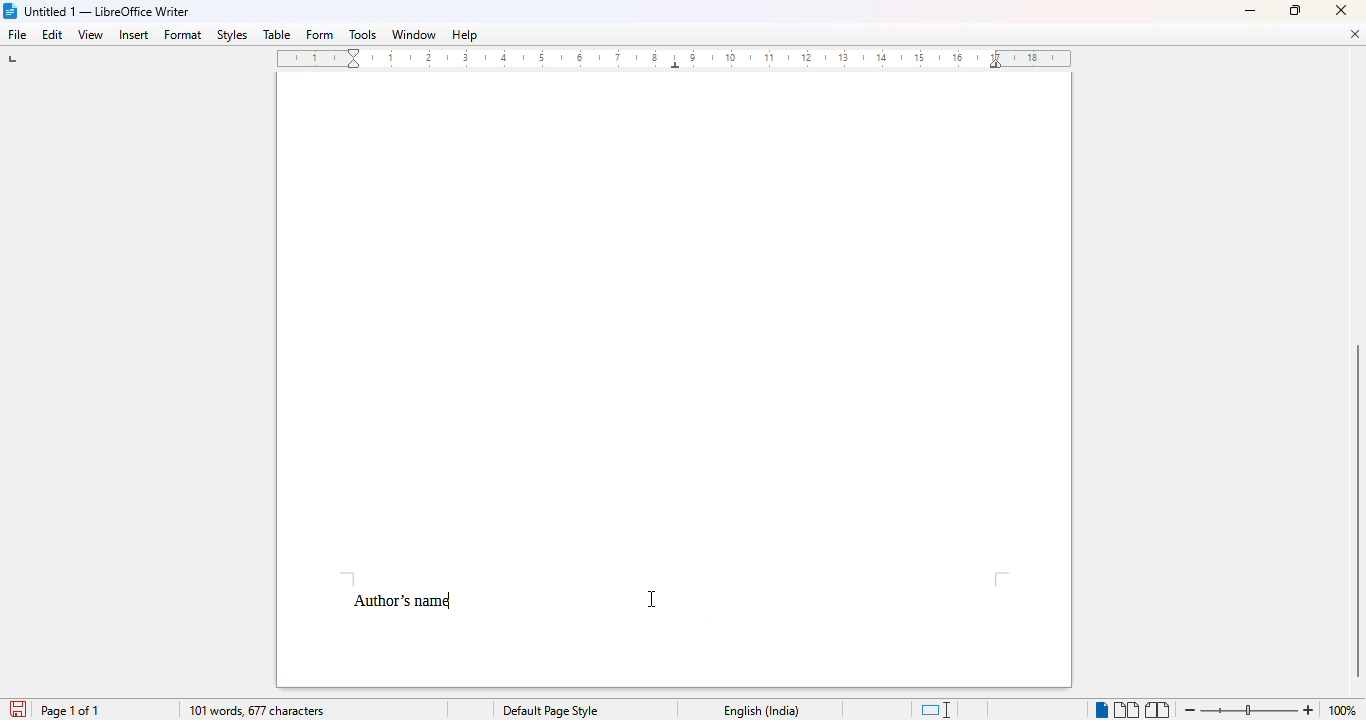 This screenshot has height=720, width=1366. I want to click on edit, so click(53, 35).